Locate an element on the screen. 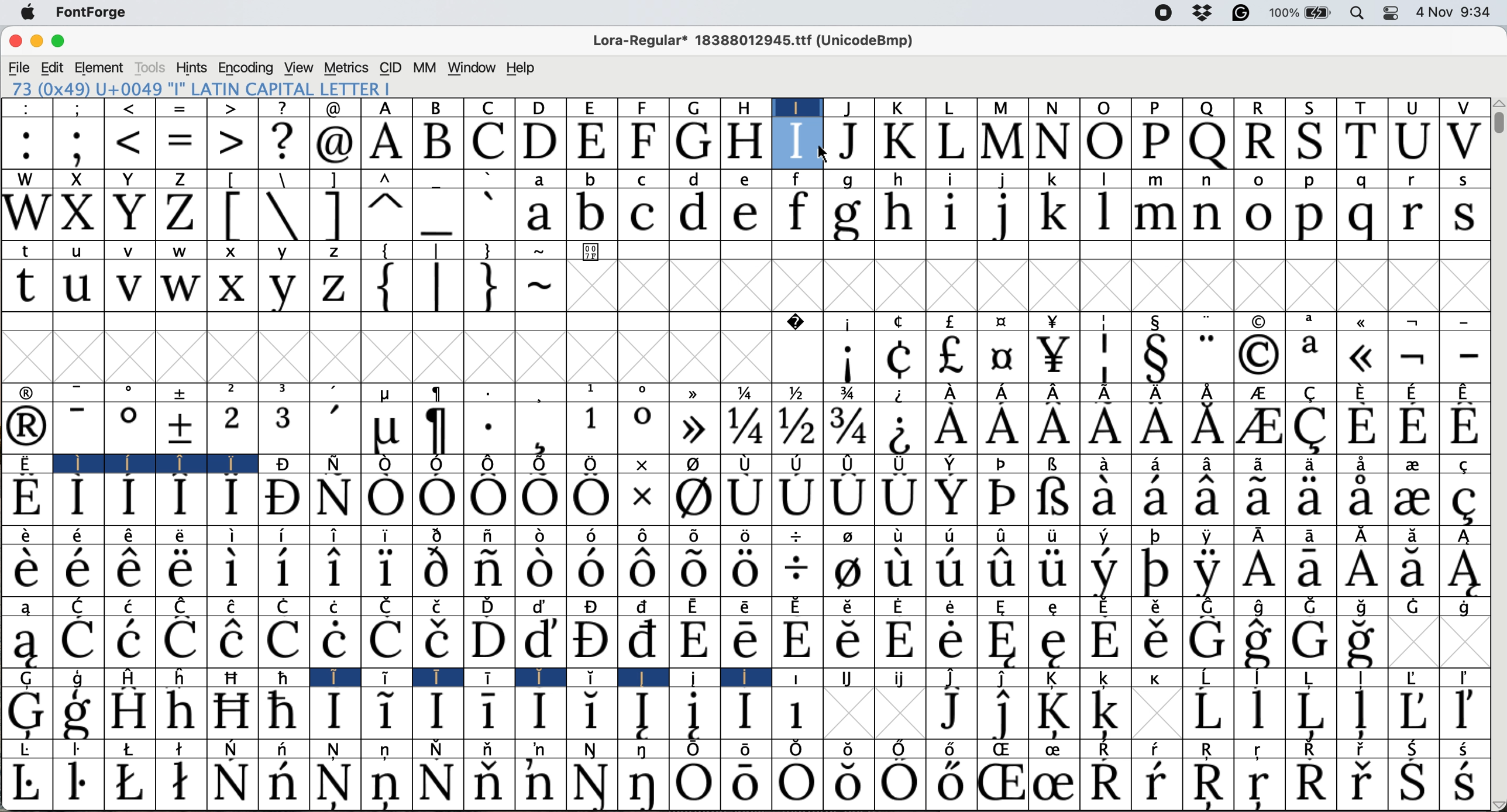 This screenshot has height=812, width=1507. G is located at coordinates (29, 679).